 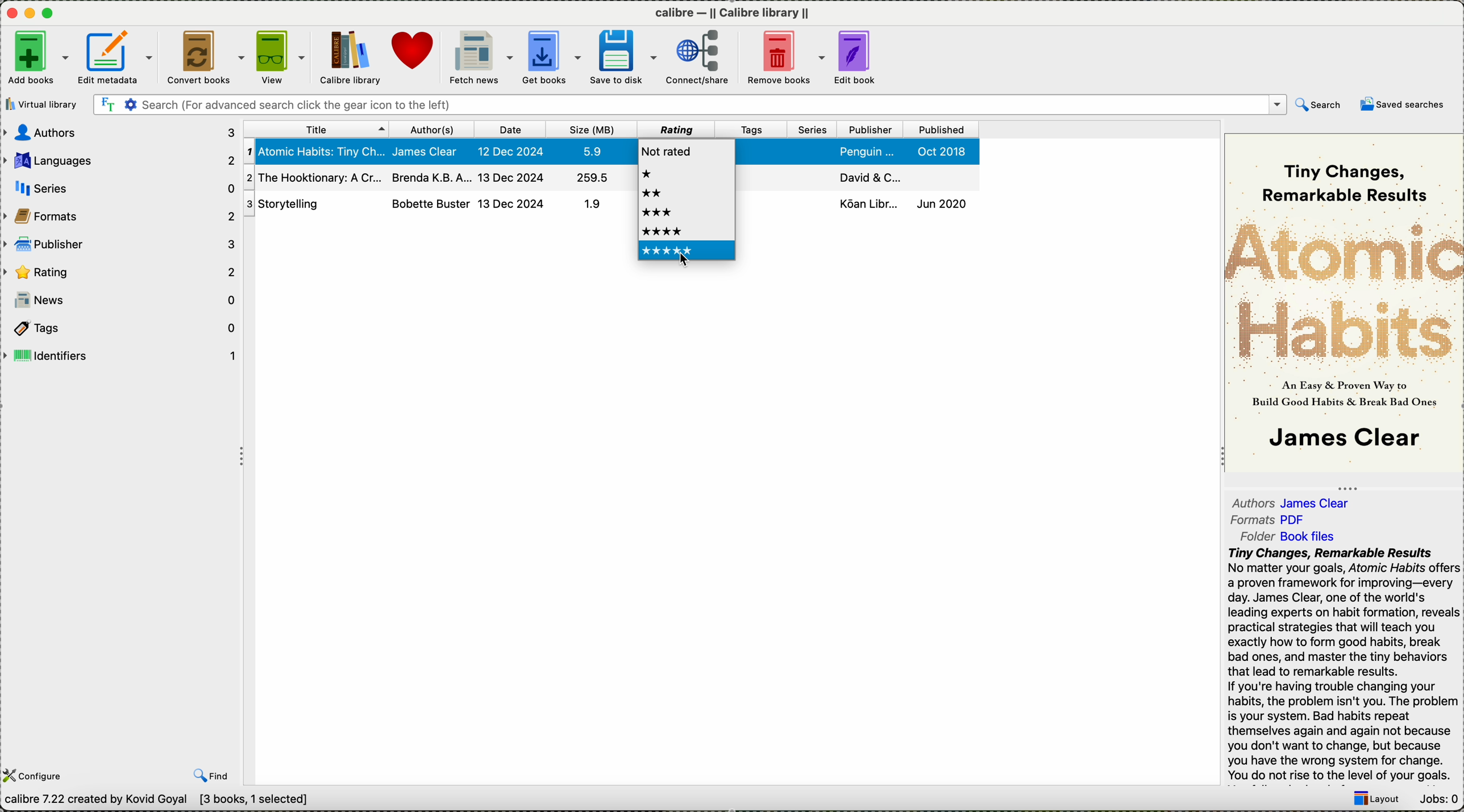 I want to click on rating, so click(x=120, y=270).